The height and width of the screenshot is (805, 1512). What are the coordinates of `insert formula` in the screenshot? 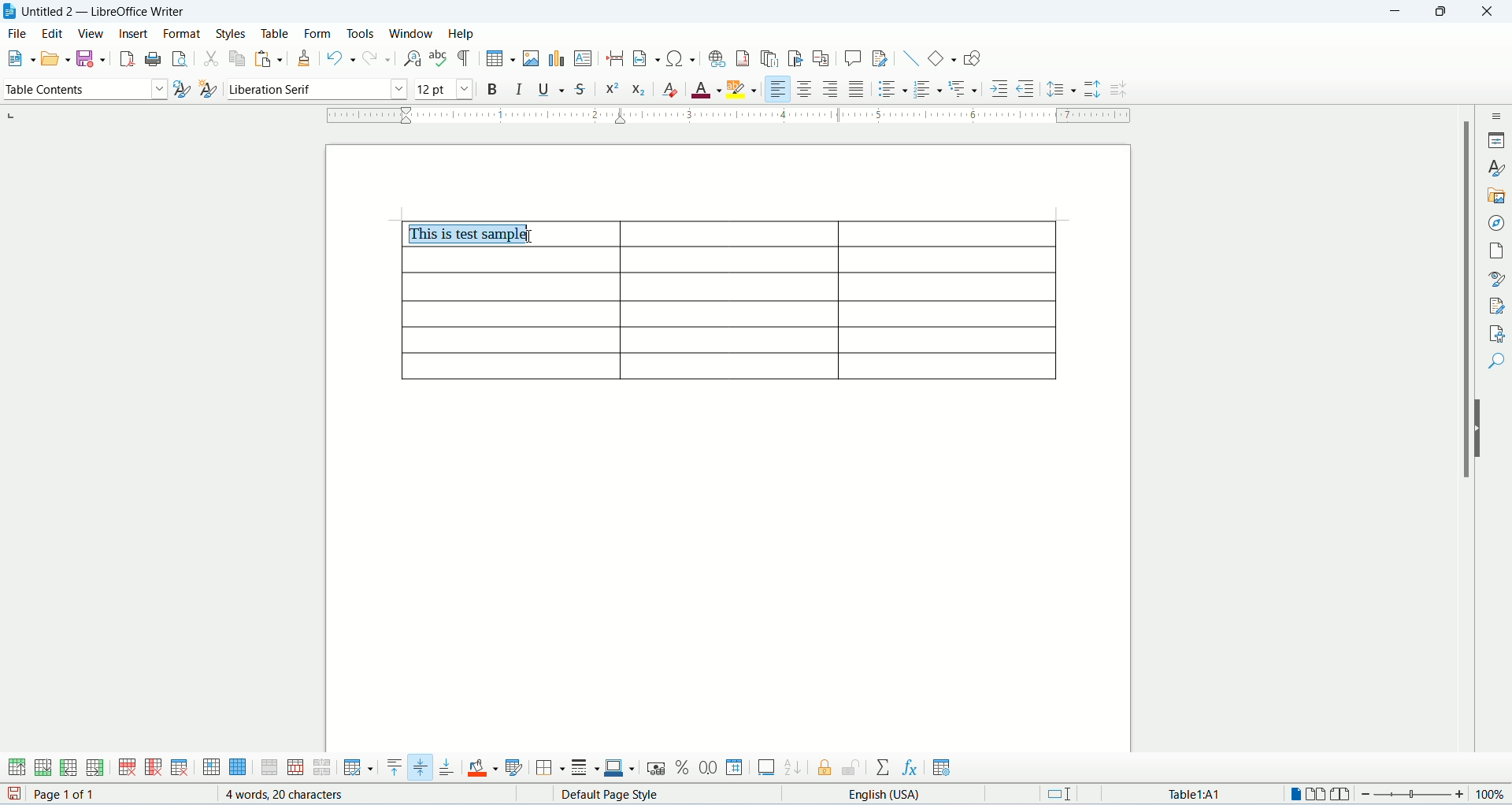 It's located at (908, 767).